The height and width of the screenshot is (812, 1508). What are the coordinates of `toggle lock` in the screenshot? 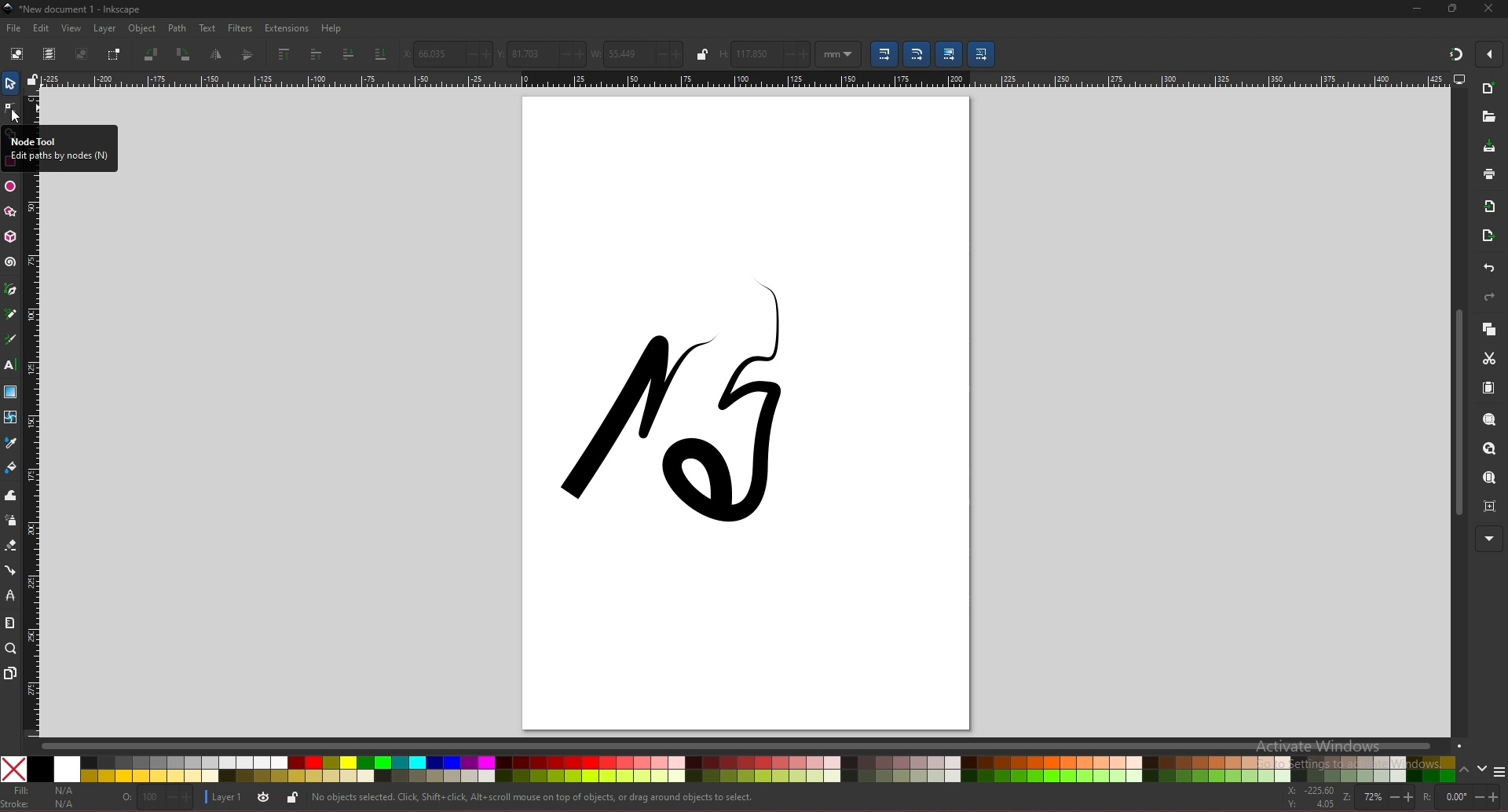 It's located at (291, 798).